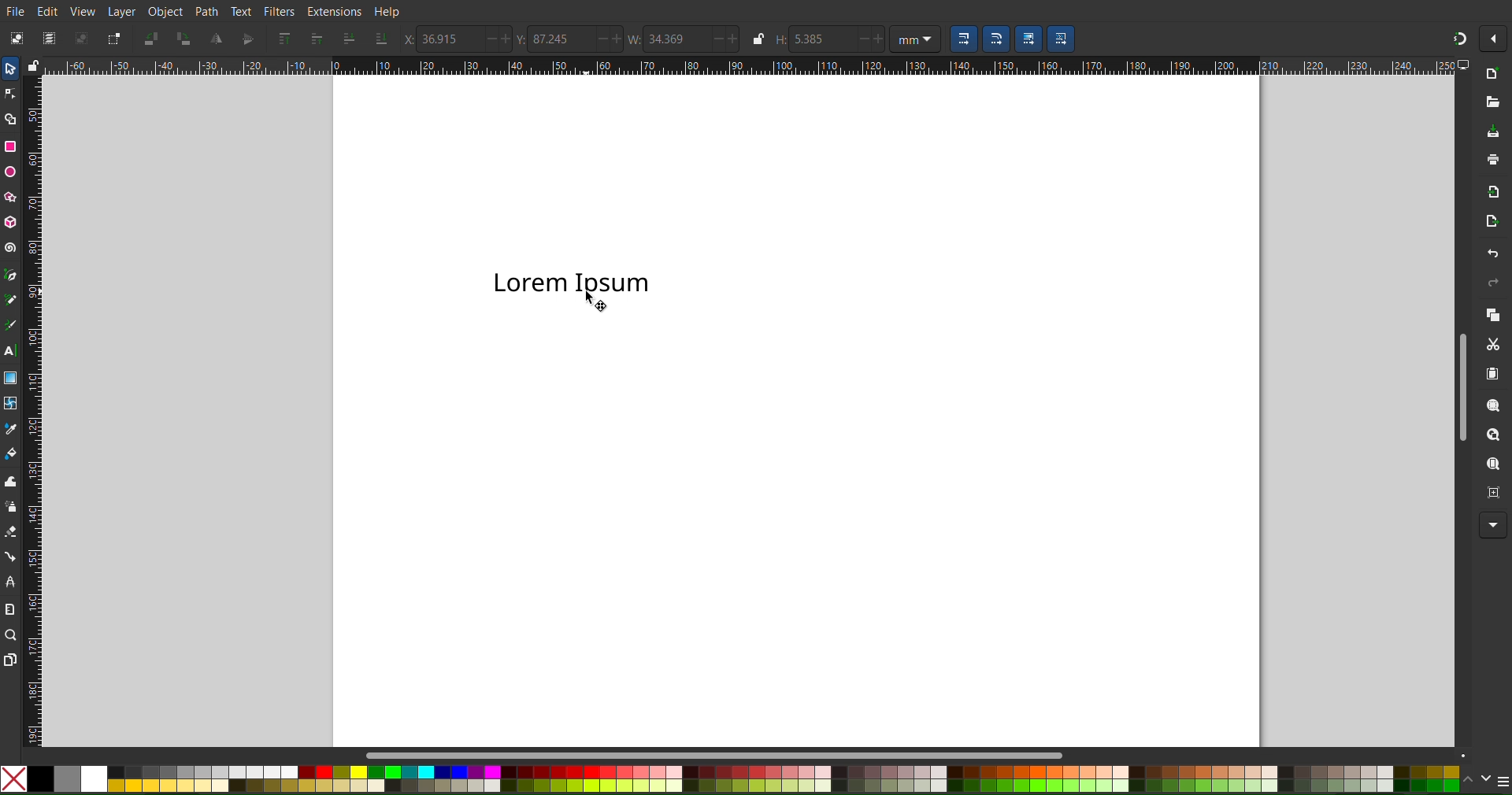 This screenshot has width=1512, height=795. Describe the element at coordinates (11, 505) in the screenshot. I see `Spray Tool` at that location.